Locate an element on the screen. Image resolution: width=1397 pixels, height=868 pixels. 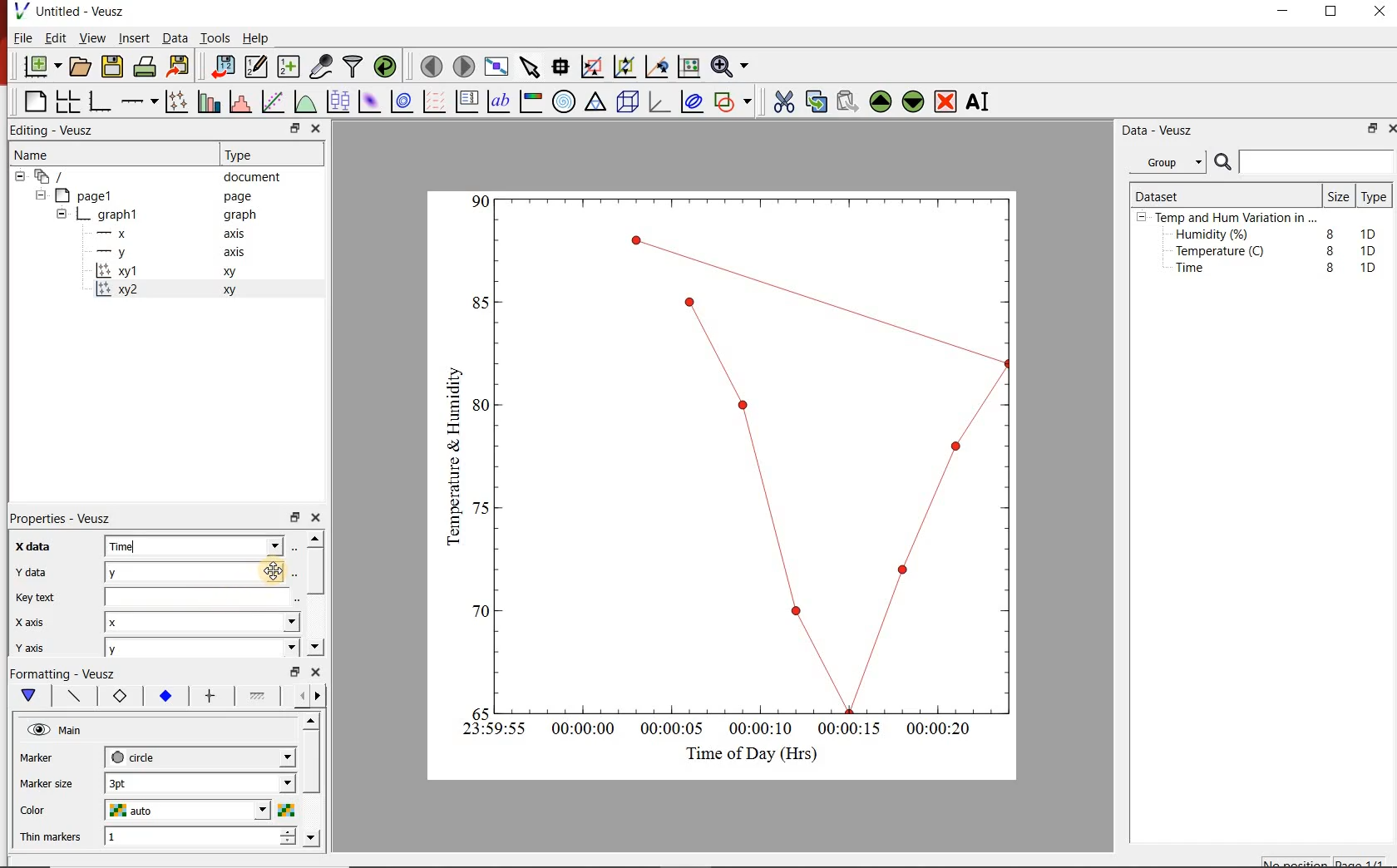
Cursor is located at coordinates (262, 571).